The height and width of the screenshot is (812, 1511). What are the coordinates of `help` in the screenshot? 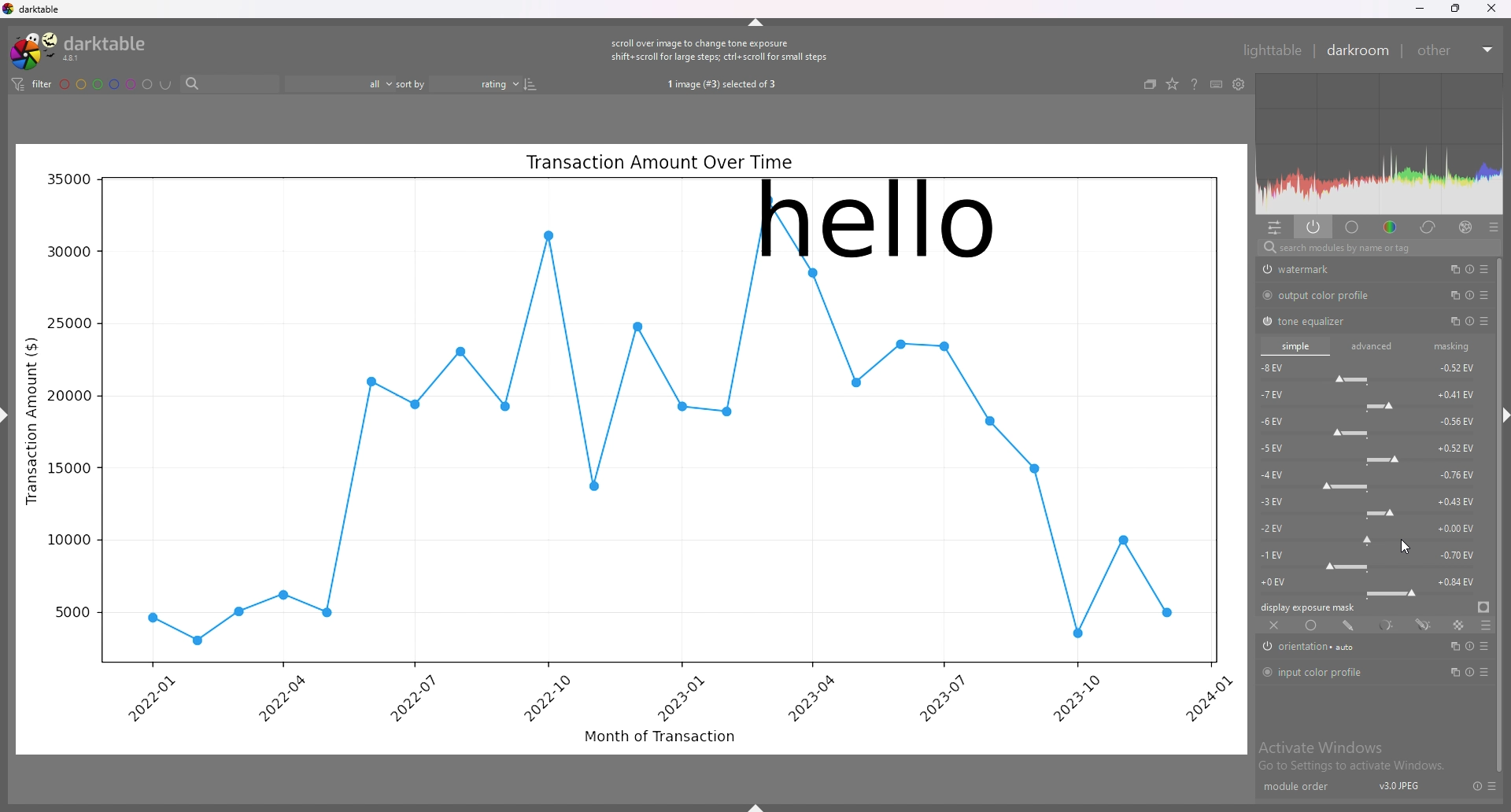 It's located at (1193, 85).